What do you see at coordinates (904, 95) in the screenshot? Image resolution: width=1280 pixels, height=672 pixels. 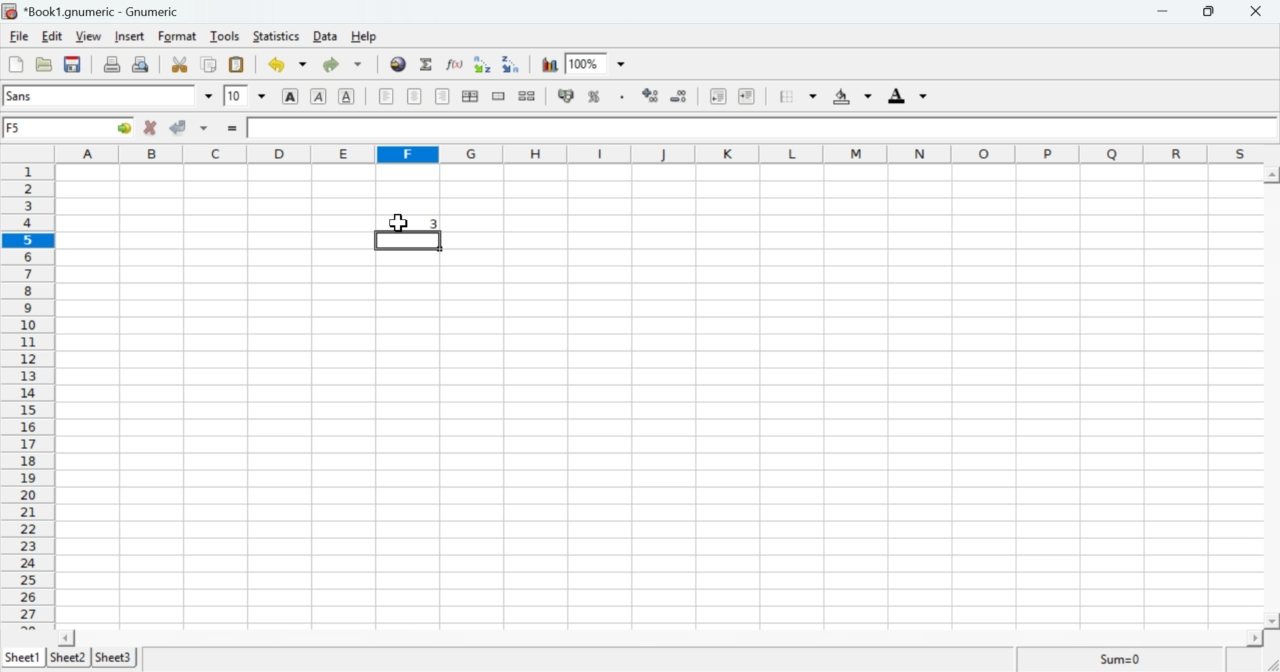 I see `Foreground` at bounding box center [904, 95].